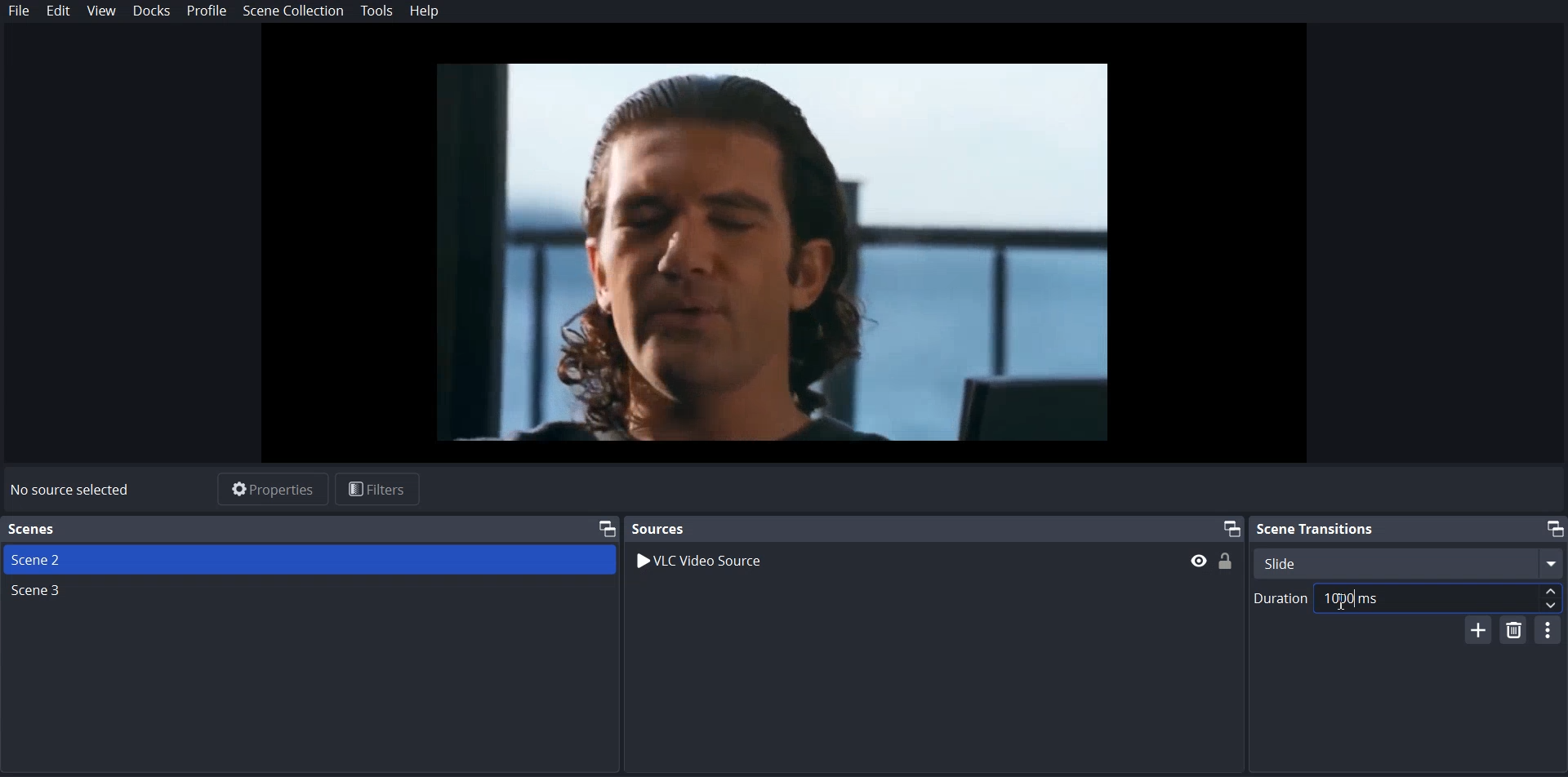 Image resolution: width=1568 pixels, height=777 pixels. Describe the element at coordinates (1410, 562) in the screenshot. I see `Select Scene Transition` at that location.